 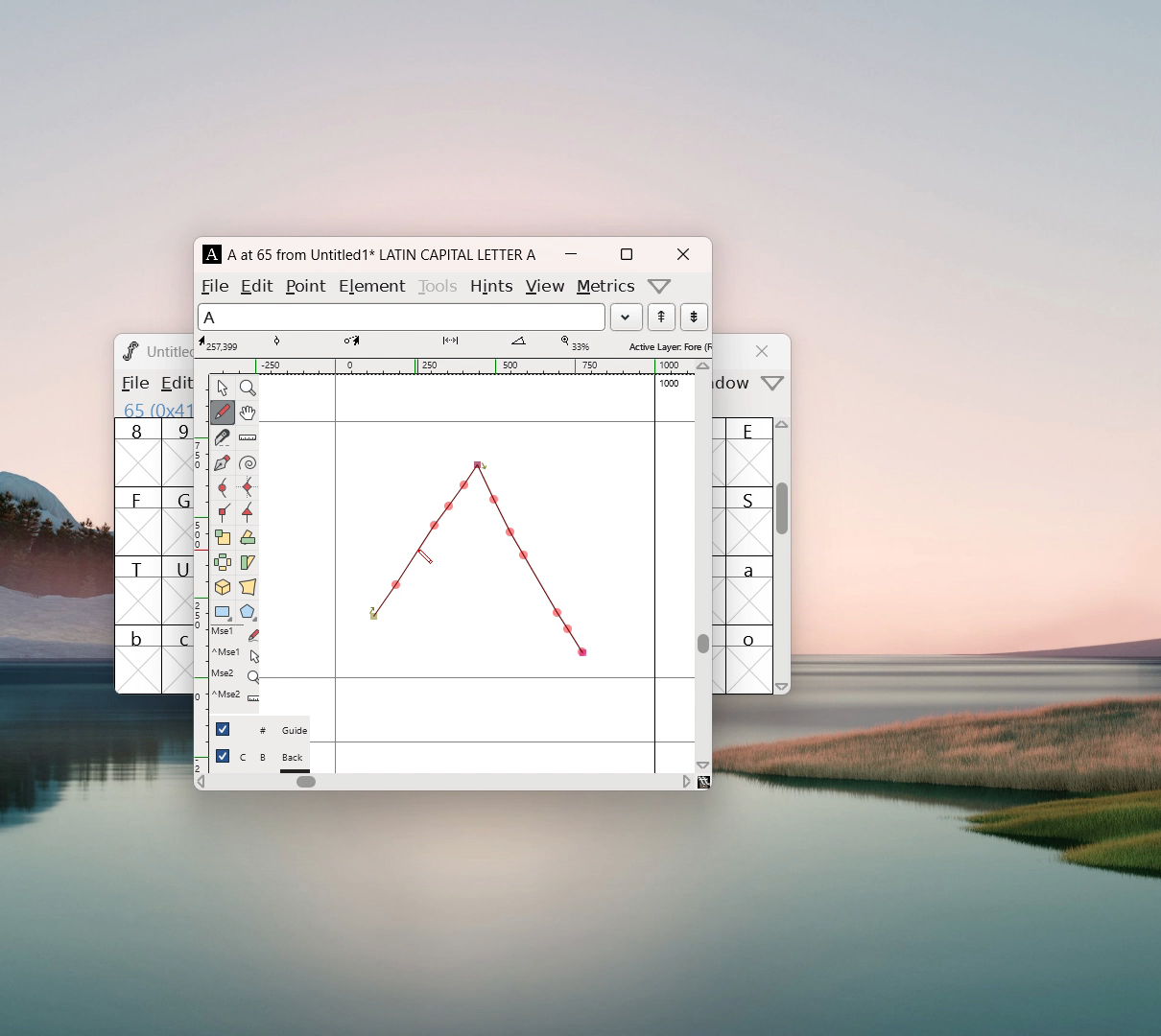 What do you see at coordinates (247, 564) in the screenshot?
I see `skew selection` at bounding box center [247, 564].